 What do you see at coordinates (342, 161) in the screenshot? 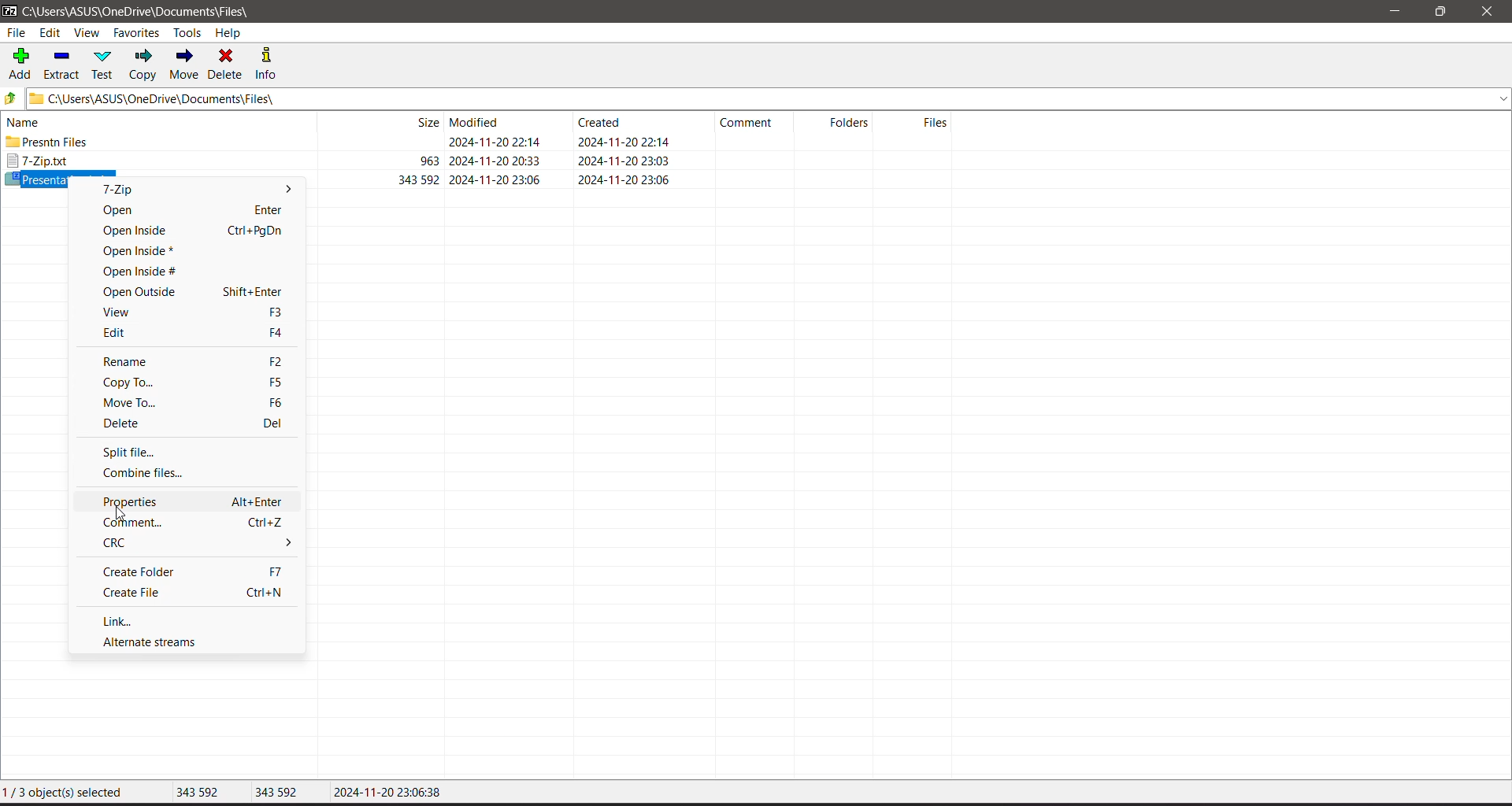
I see `7-Zip` at bounding box center [342, 161].